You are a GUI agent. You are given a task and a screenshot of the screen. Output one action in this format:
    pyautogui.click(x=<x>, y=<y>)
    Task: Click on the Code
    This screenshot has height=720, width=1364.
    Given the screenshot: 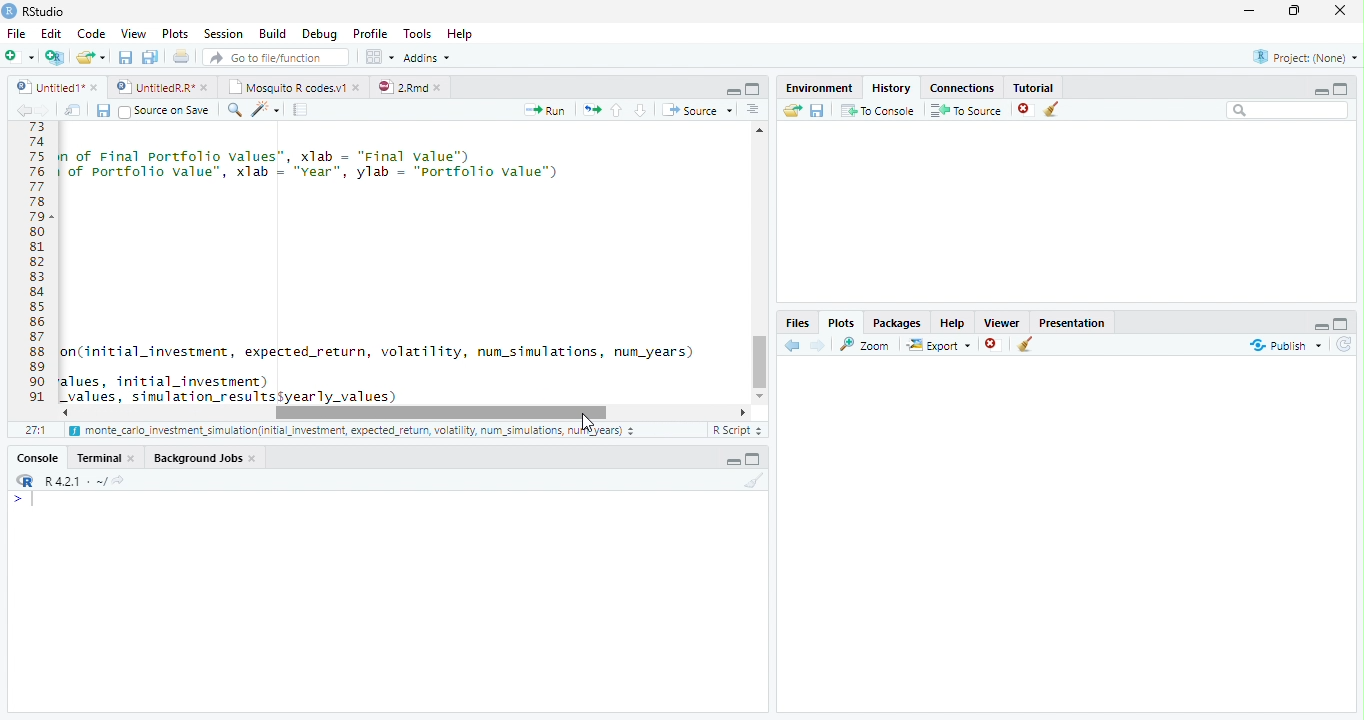 What is the action you would take?
    pyautogui.click(x=89, y=33)
    